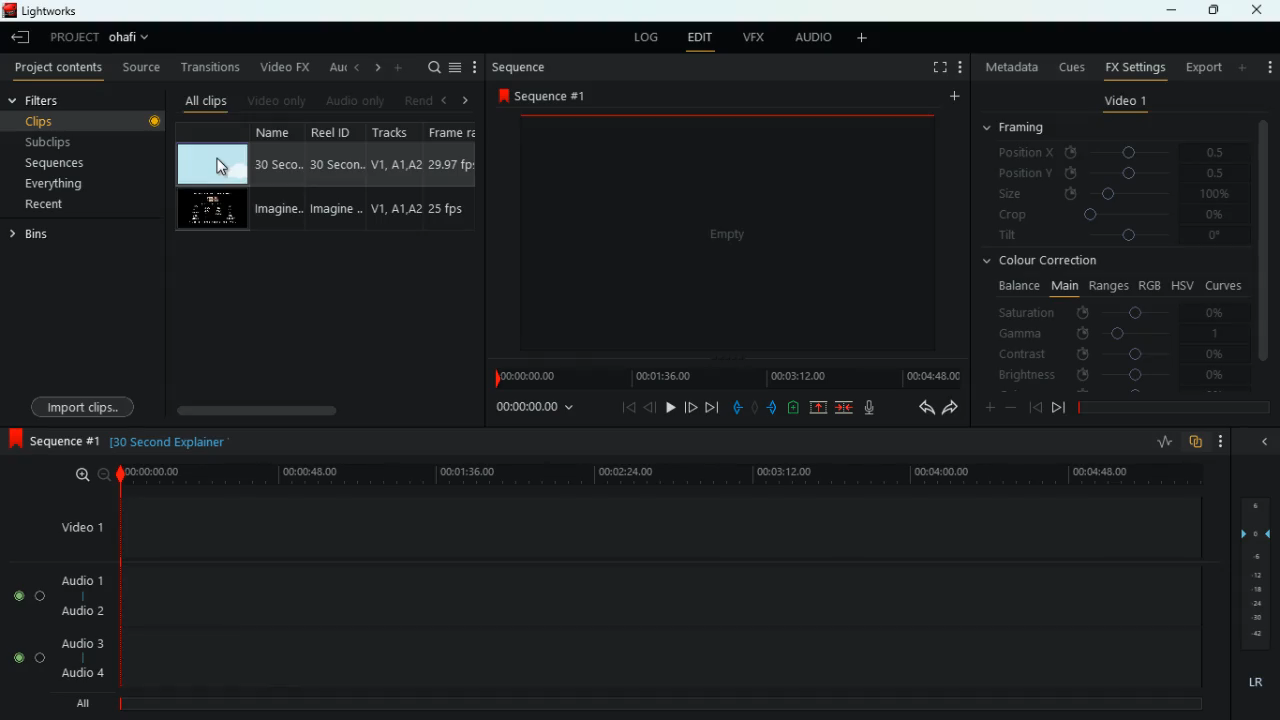 This screenshot has width=1280, height=720. I want to click on log, so click(642, 40).